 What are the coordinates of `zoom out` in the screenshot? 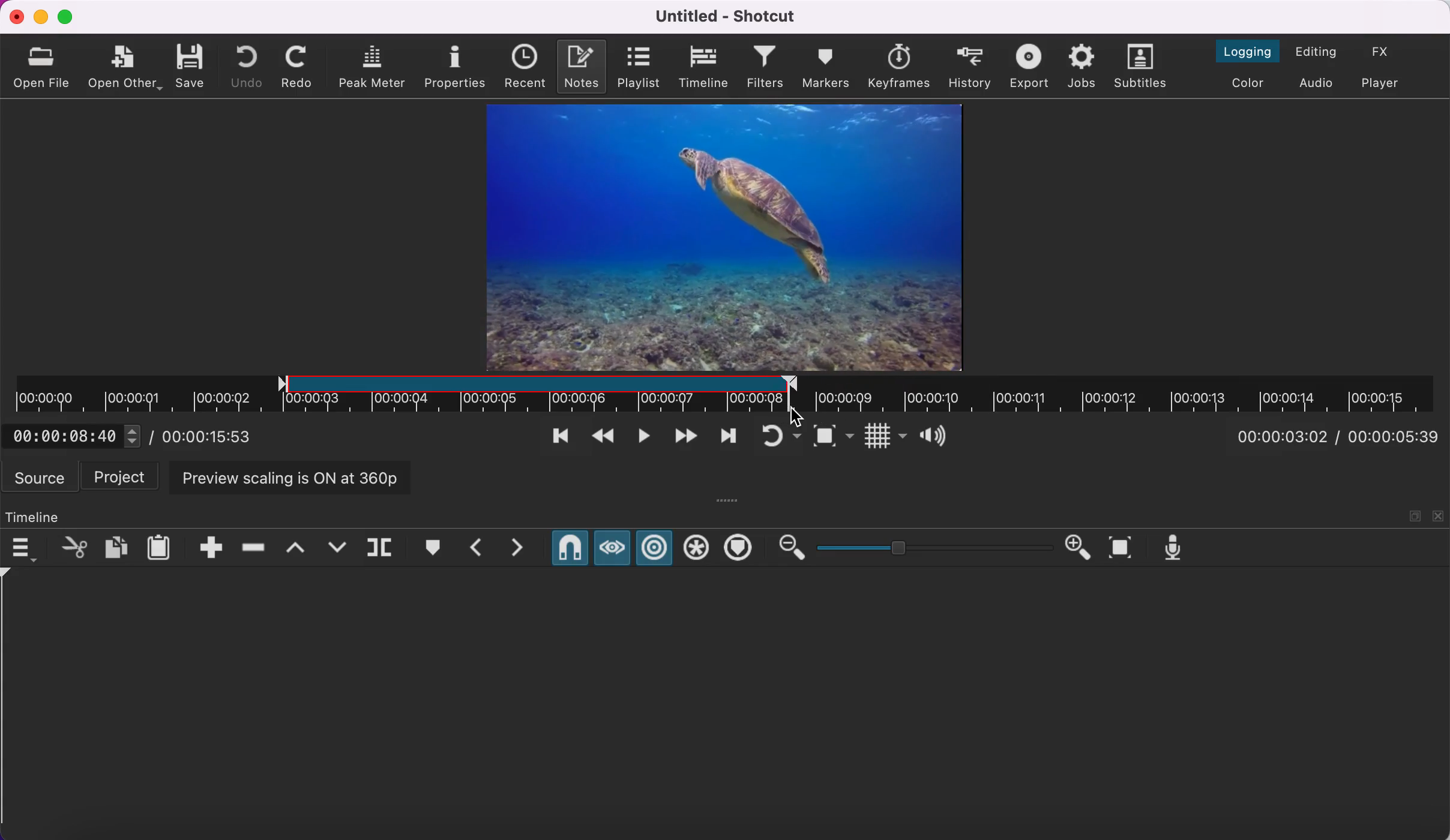 It's located at (790, 548).